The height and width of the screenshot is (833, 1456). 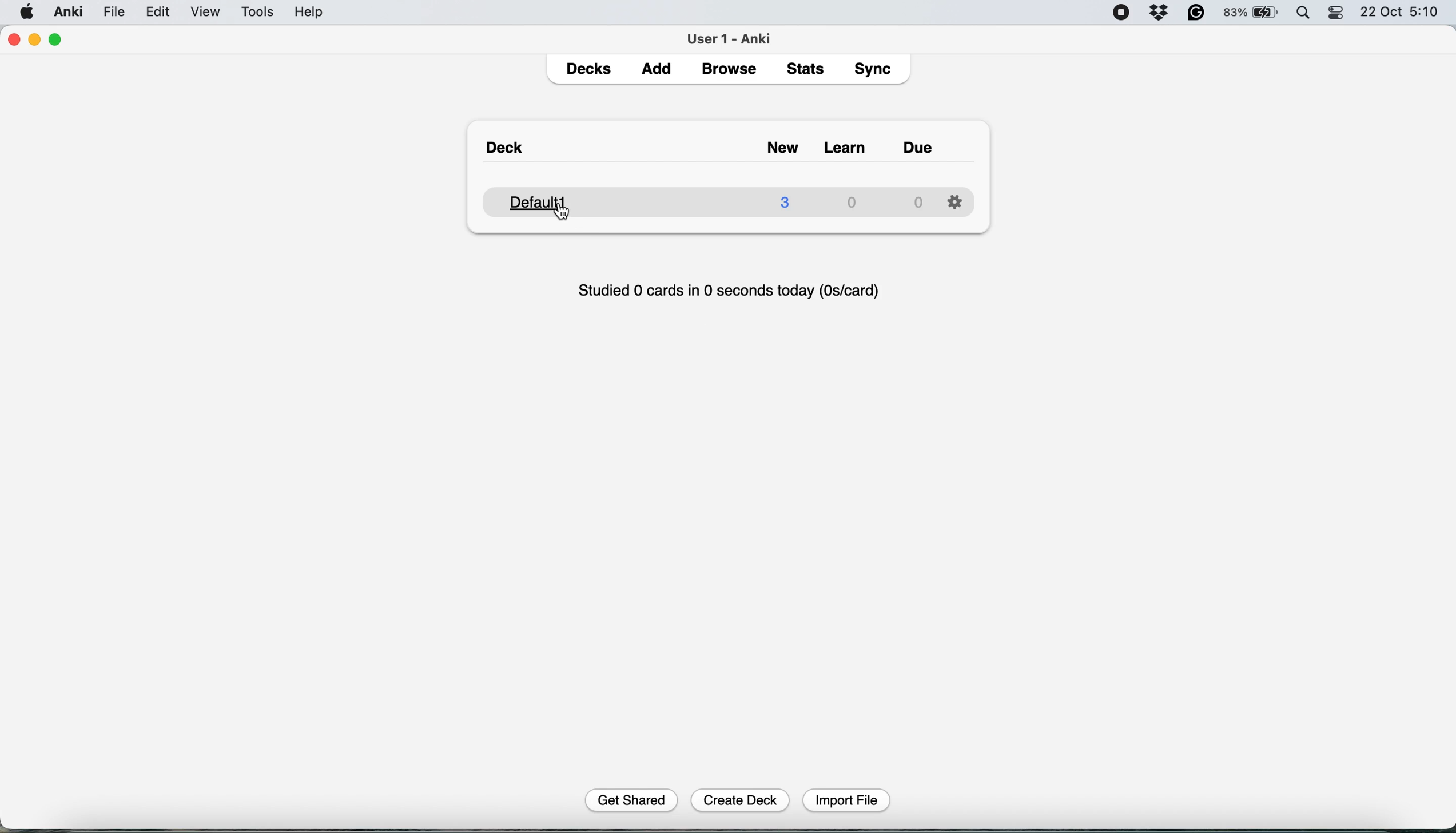 I want to click on learn, so click(x=849, y=149).